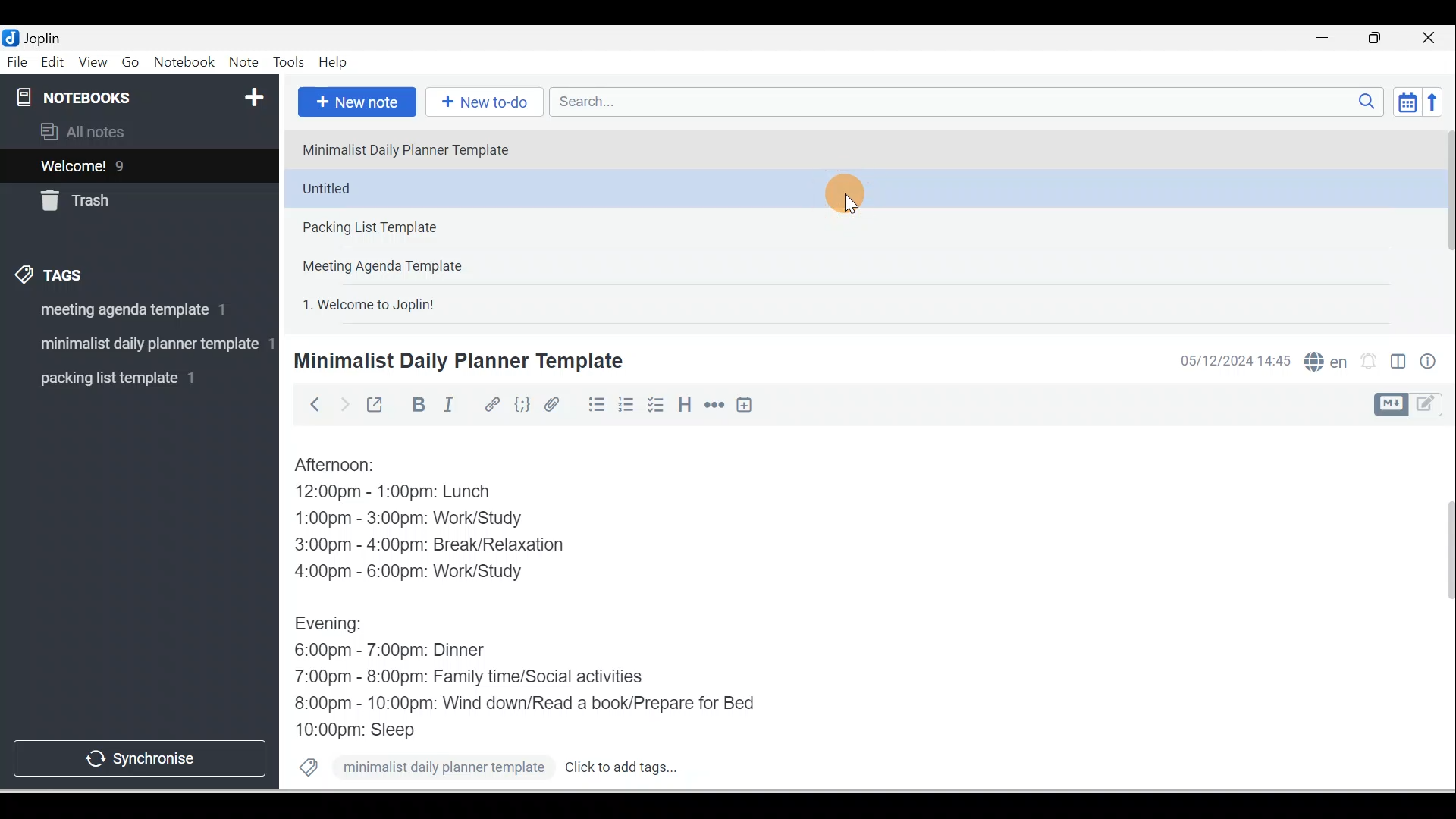 The height and width of the screenshot is (819, 1456). I want to click on Toggle editors, so click(1398, 364).